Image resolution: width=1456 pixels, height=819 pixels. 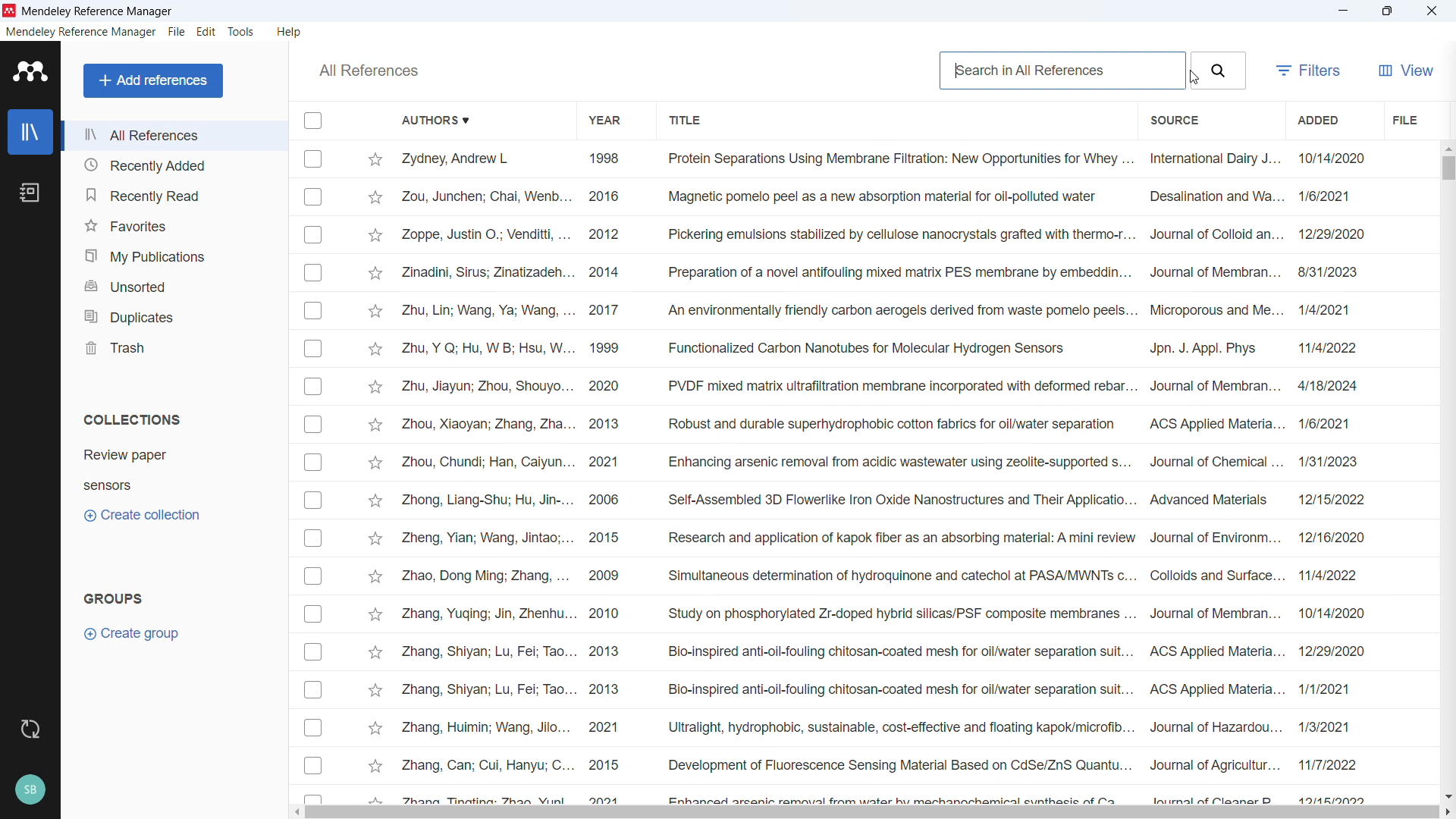 What do you see at coordinates (1307, 71) in the screenshot?
I see `filters` at bounding box center [1307, 71].